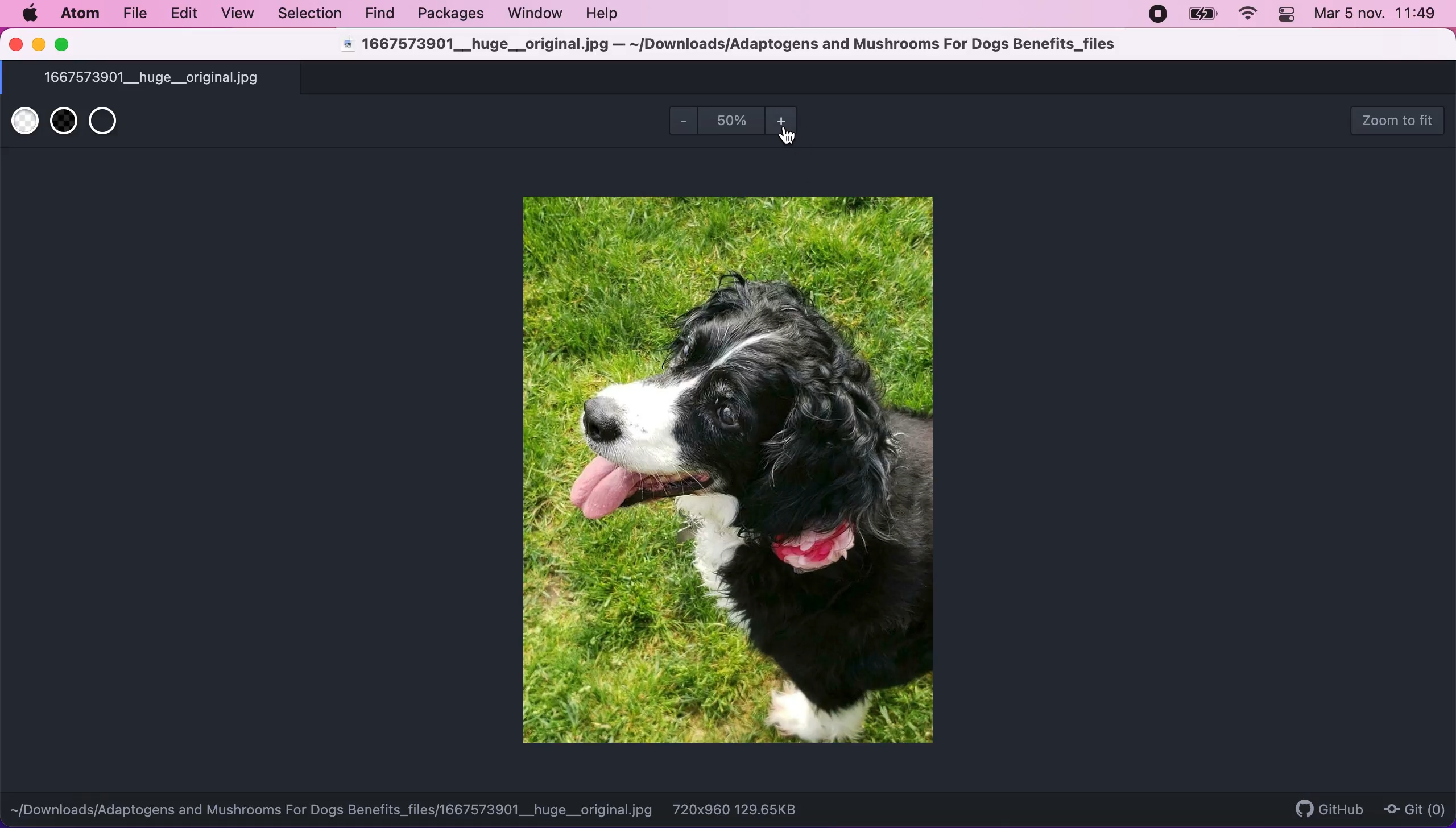  What do you see at coordinates (15, 45) in the screenshot?
I see `close` at bounding box center [15, 45].